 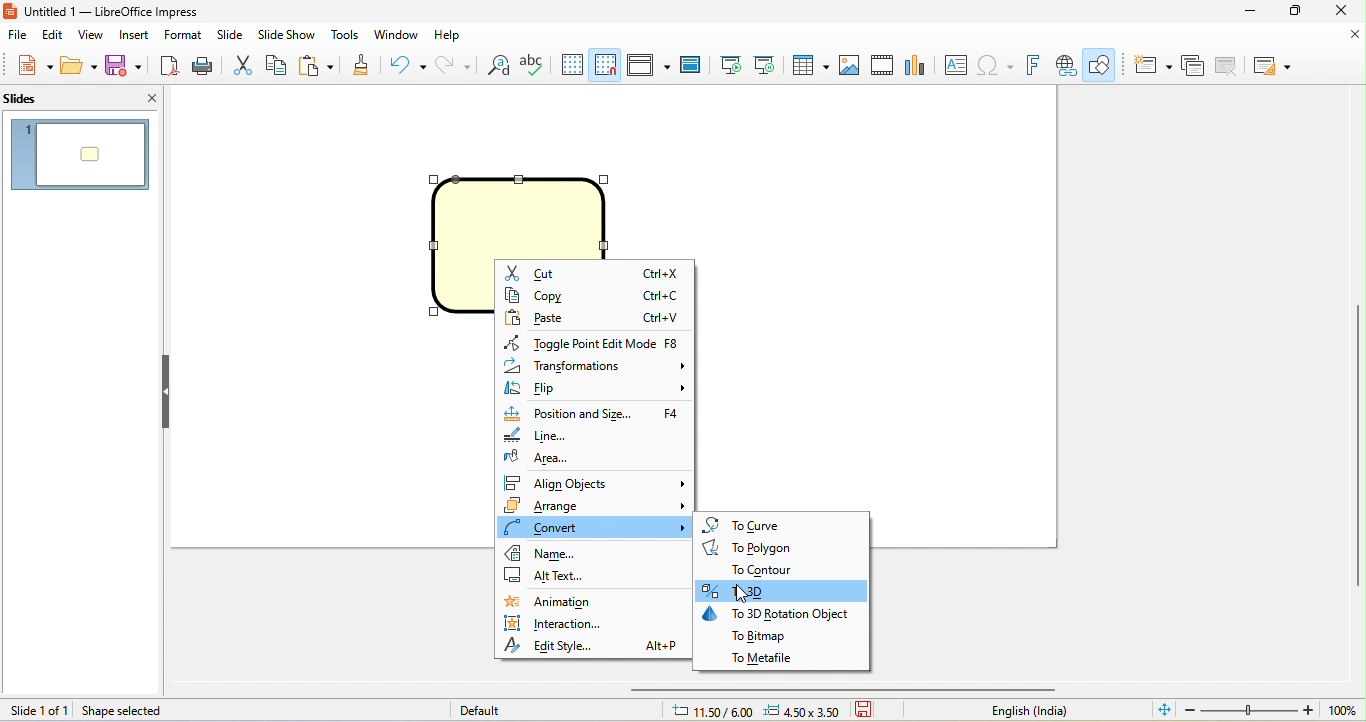 I want to click on window, so click(x=396, y=36).